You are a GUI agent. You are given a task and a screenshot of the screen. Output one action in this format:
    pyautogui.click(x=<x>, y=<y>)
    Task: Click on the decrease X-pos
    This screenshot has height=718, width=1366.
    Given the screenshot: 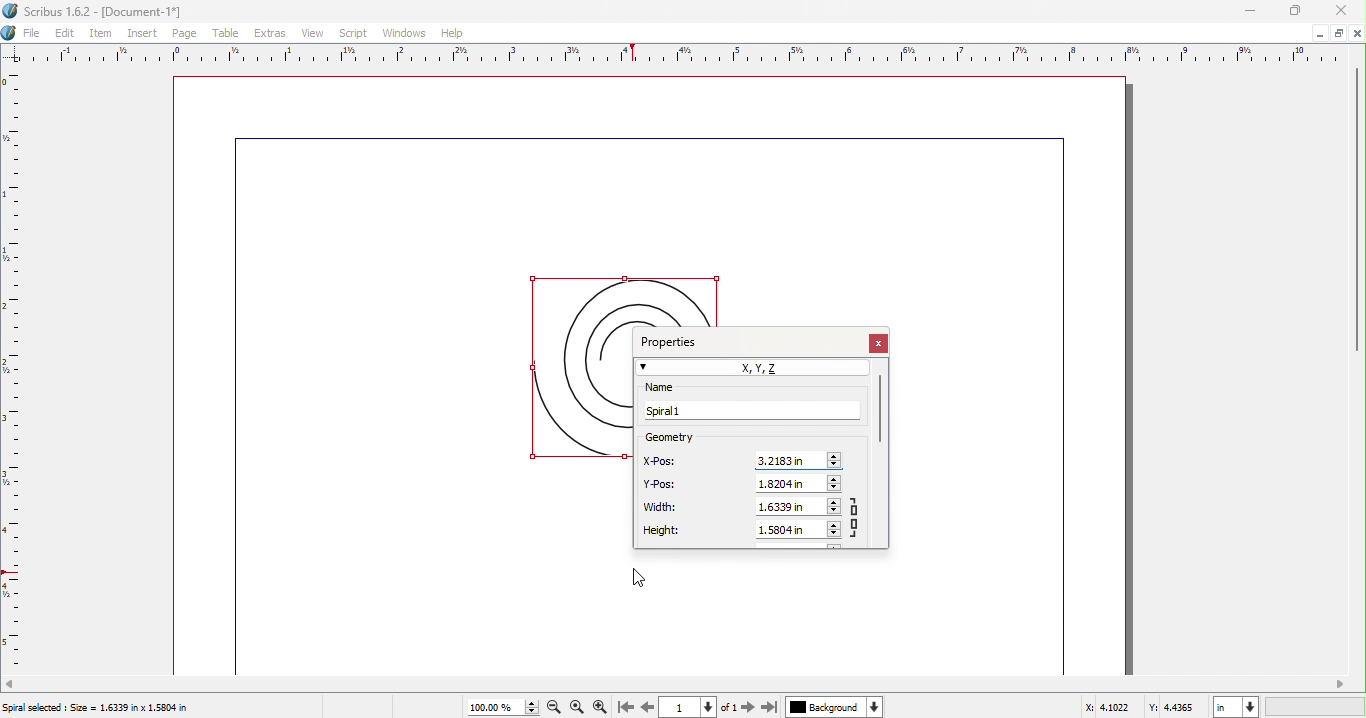 What is the action you would take?
    pyautogui.click(x=836, y=465)
    